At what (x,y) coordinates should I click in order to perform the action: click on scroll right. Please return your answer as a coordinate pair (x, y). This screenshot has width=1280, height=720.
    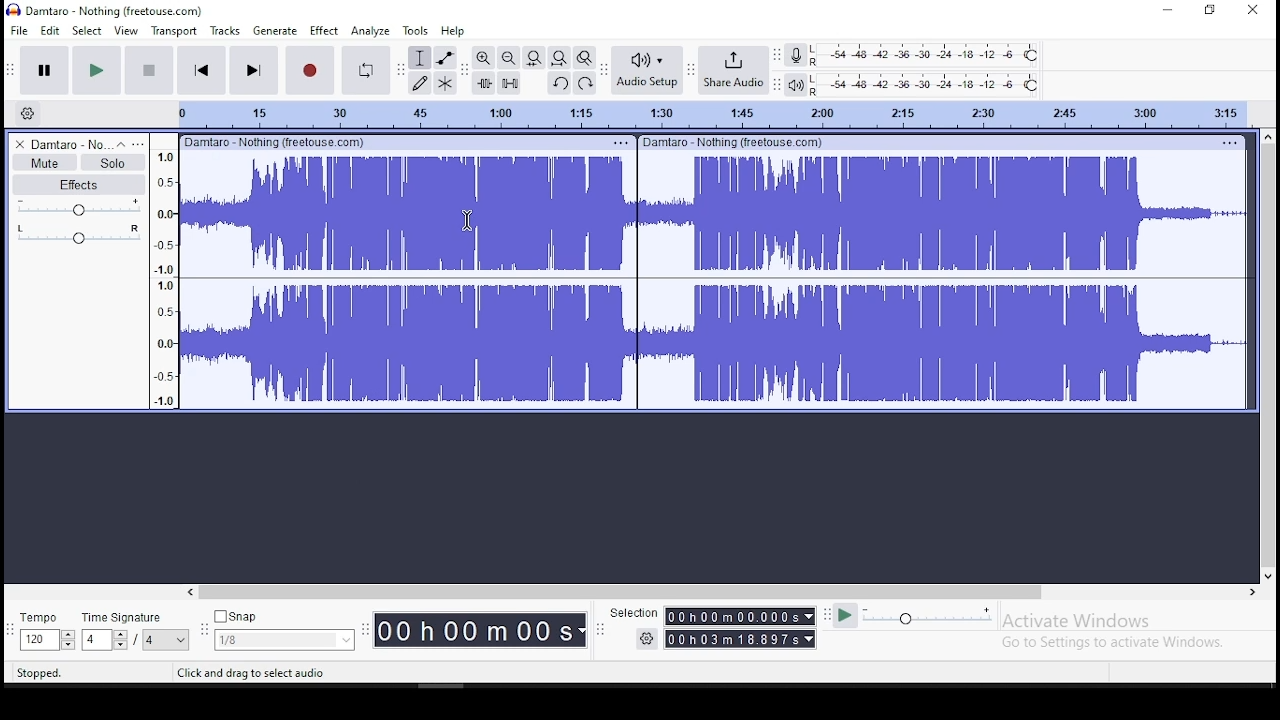
    Looking at the image, I should click on (1251, 592).